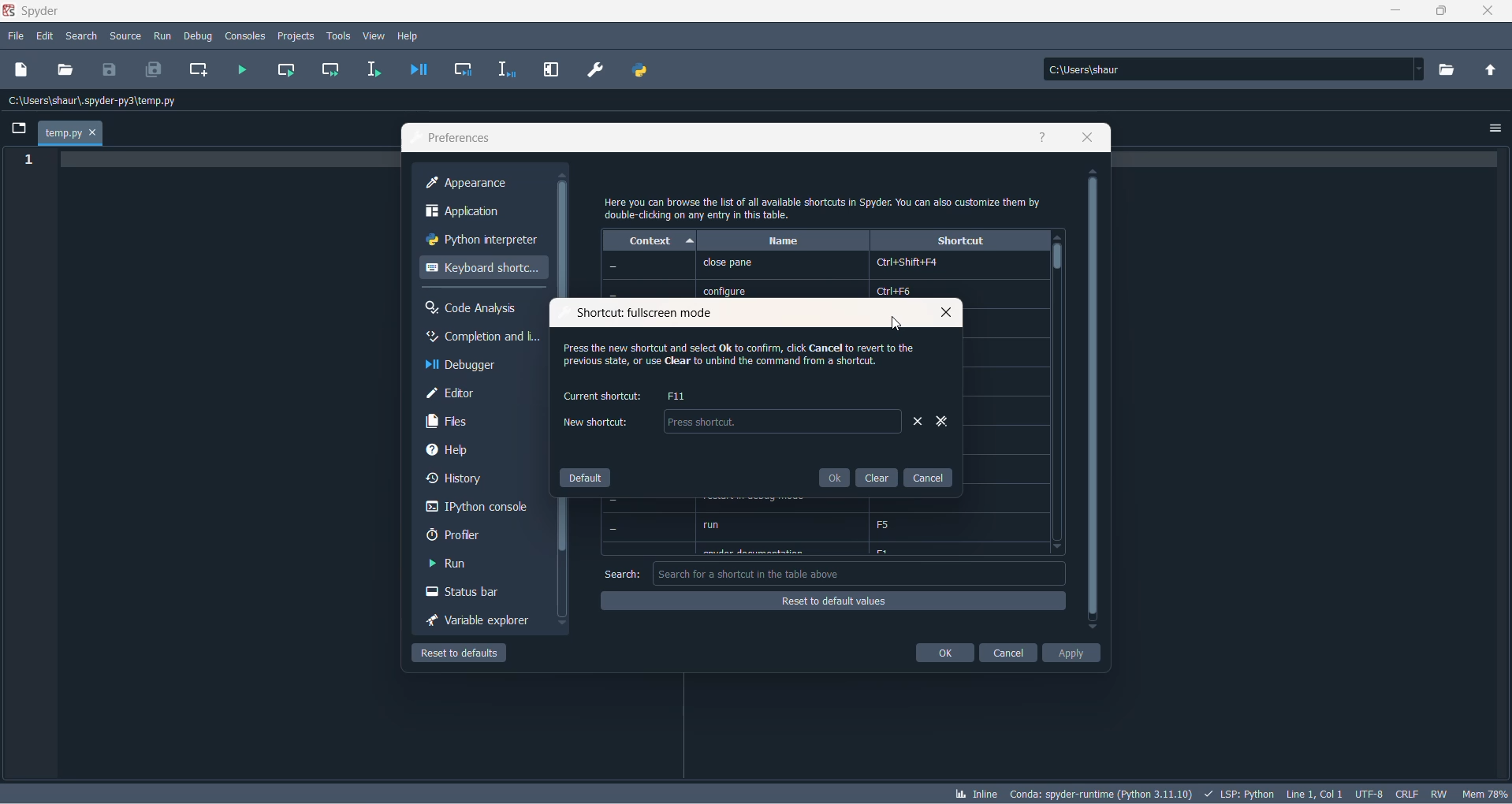 The height and width of the screenshot is (804, 1512). I want to click on maximize, so click(1443, 12).